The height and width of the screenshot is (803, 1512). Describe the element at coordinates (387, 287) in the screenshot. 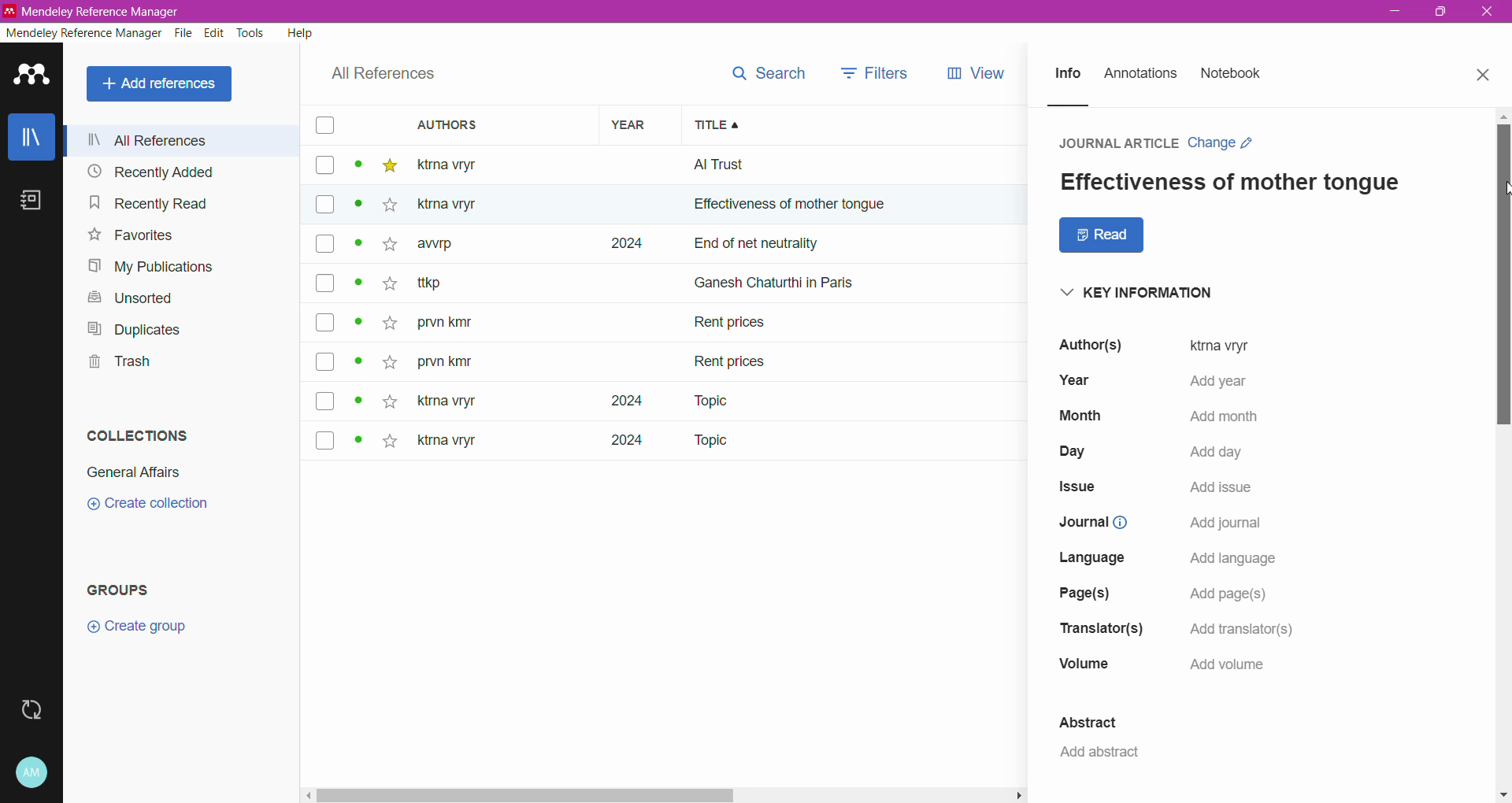

I see `star` at that location.